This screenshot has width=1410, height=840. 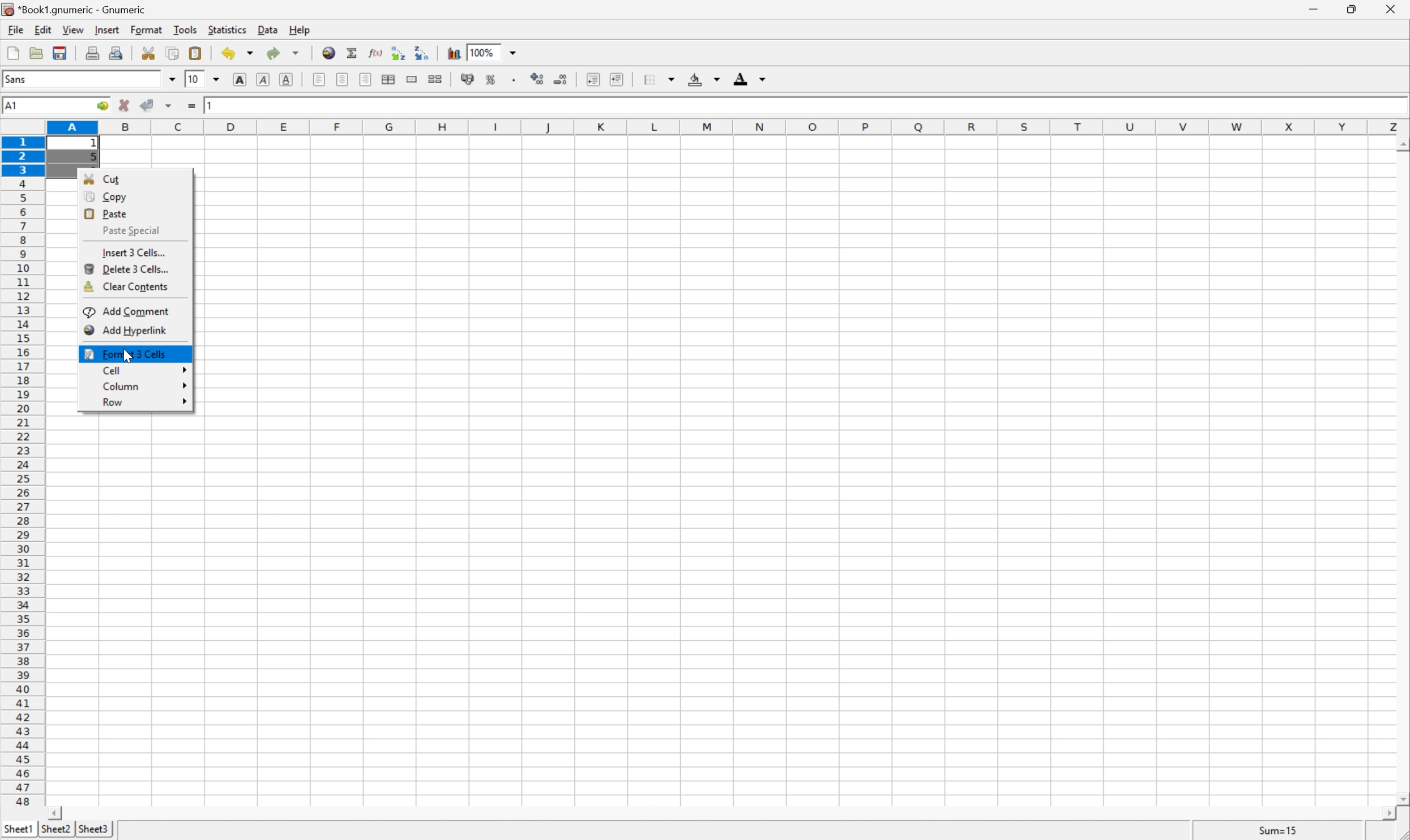 I want to click on copy, so click(x=172, y=53).